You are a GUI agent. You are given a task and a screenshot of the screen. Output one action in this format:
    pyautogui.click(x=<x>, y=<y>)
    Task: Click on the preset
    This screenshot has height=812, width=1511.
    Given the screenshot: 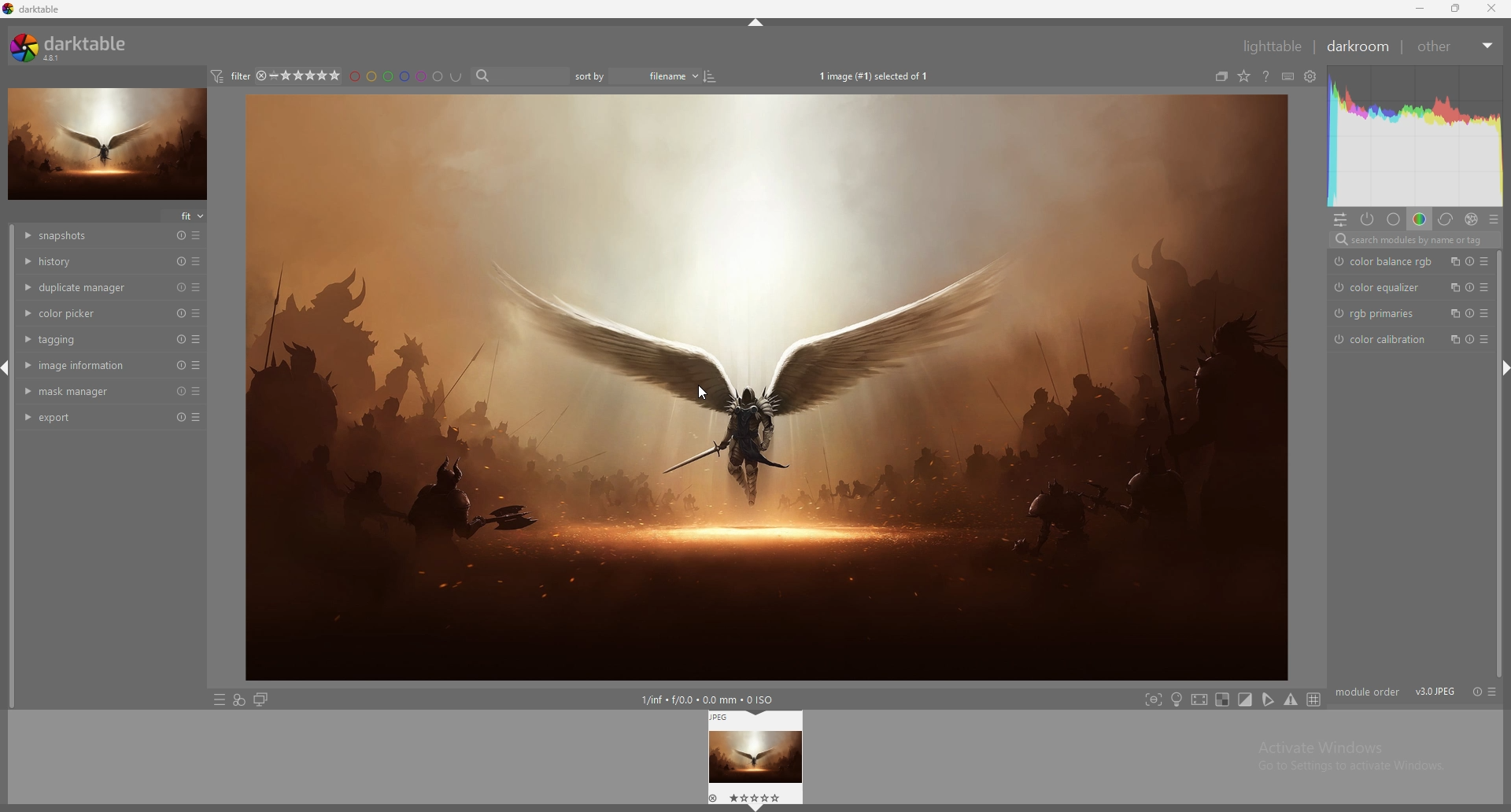 What is the action you would take?
    pyautogui.click(x=200, y=339)
    